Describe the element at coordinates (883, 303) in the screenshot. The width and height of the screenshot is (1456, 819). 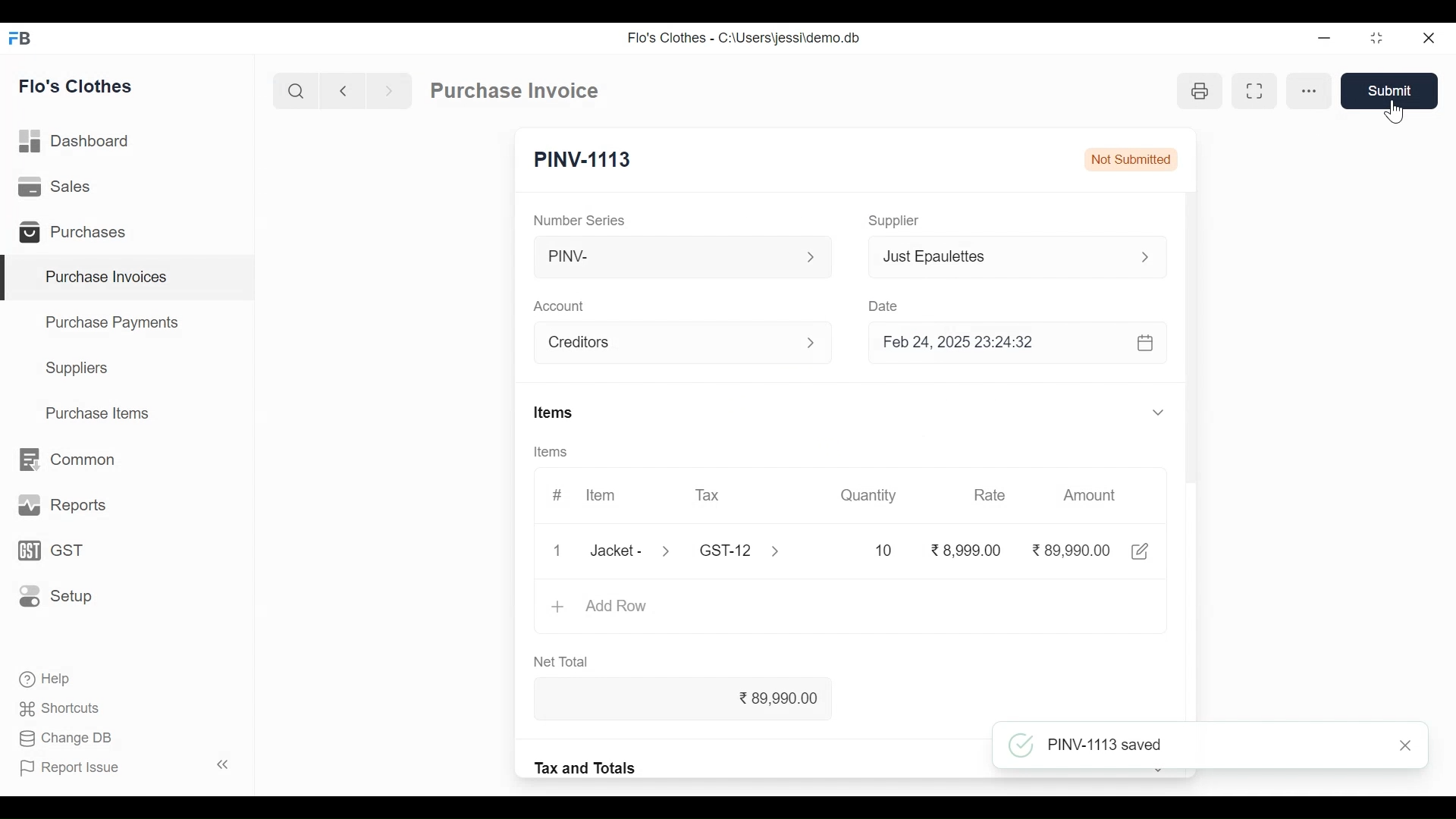
I see `Date` at that location.